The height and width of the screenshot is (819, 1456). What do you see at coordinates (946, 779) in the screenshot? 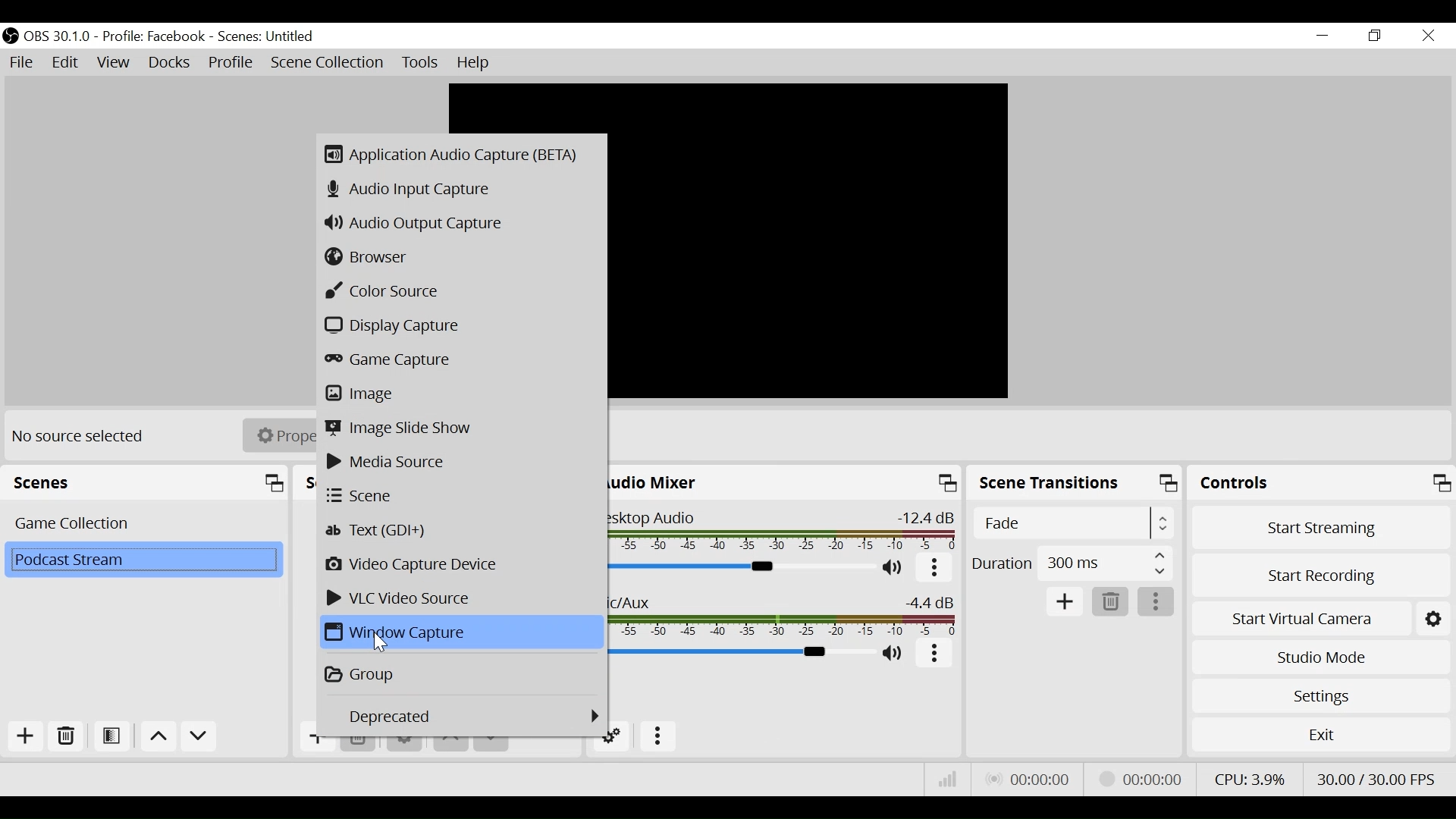
I see `Bitrate` at bounding box center [946, 779].